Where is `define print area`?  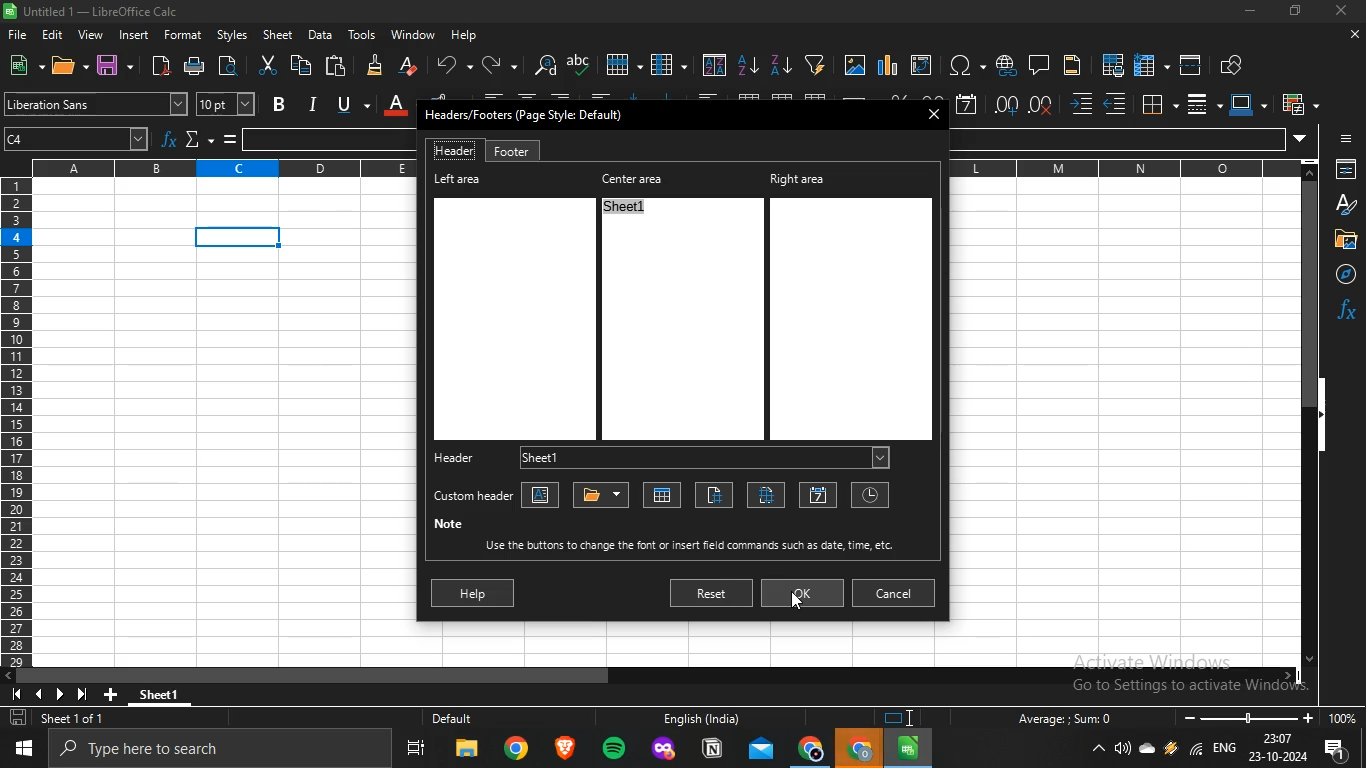
define print area is located at coordinates (1113, 64).